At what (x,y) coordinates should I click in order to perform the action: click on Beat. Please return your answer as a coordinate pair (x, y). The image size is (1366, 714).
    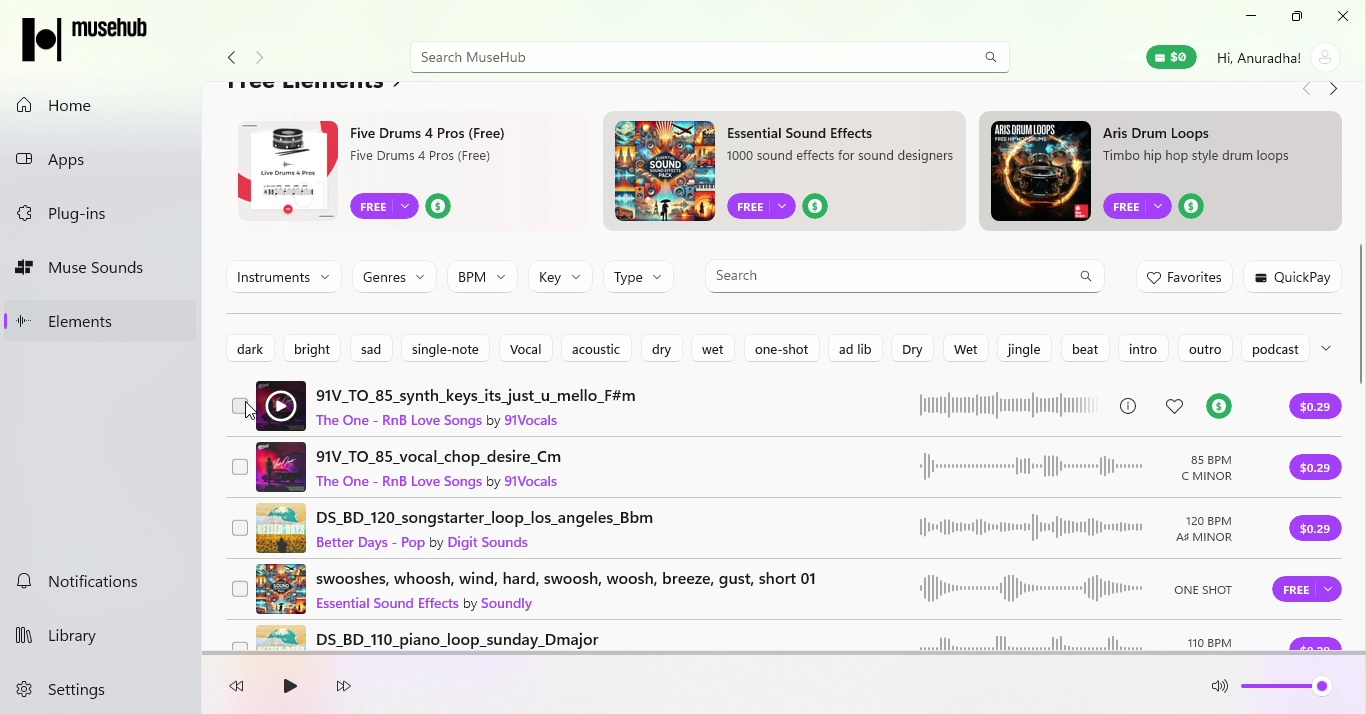
    Looking at the image, I should click on (1088, 349).